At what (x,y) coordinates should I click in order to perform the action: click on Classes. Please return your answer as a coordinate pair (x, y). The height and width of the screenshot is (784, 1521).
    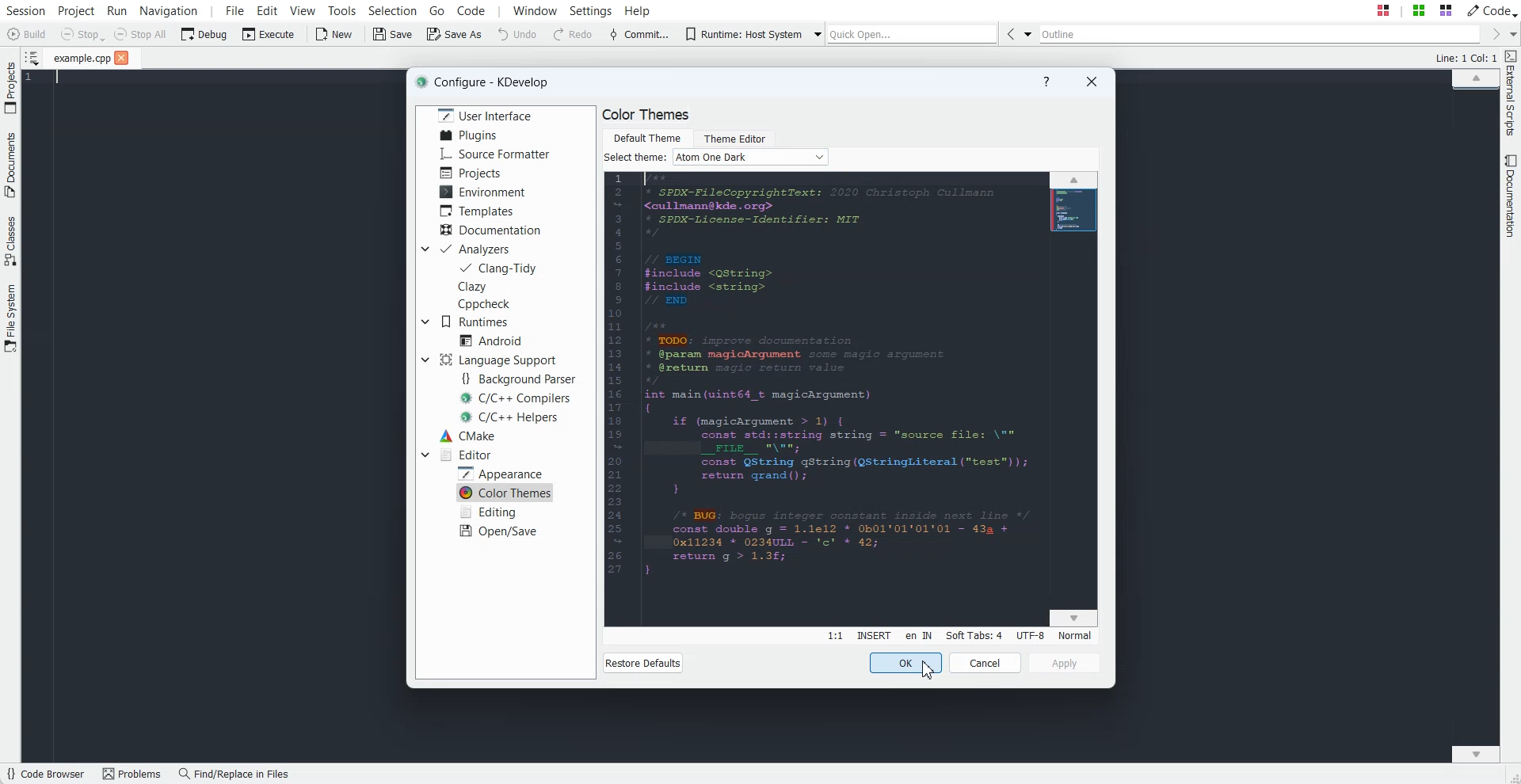
    Looking at the image, I should click on (10, 243).